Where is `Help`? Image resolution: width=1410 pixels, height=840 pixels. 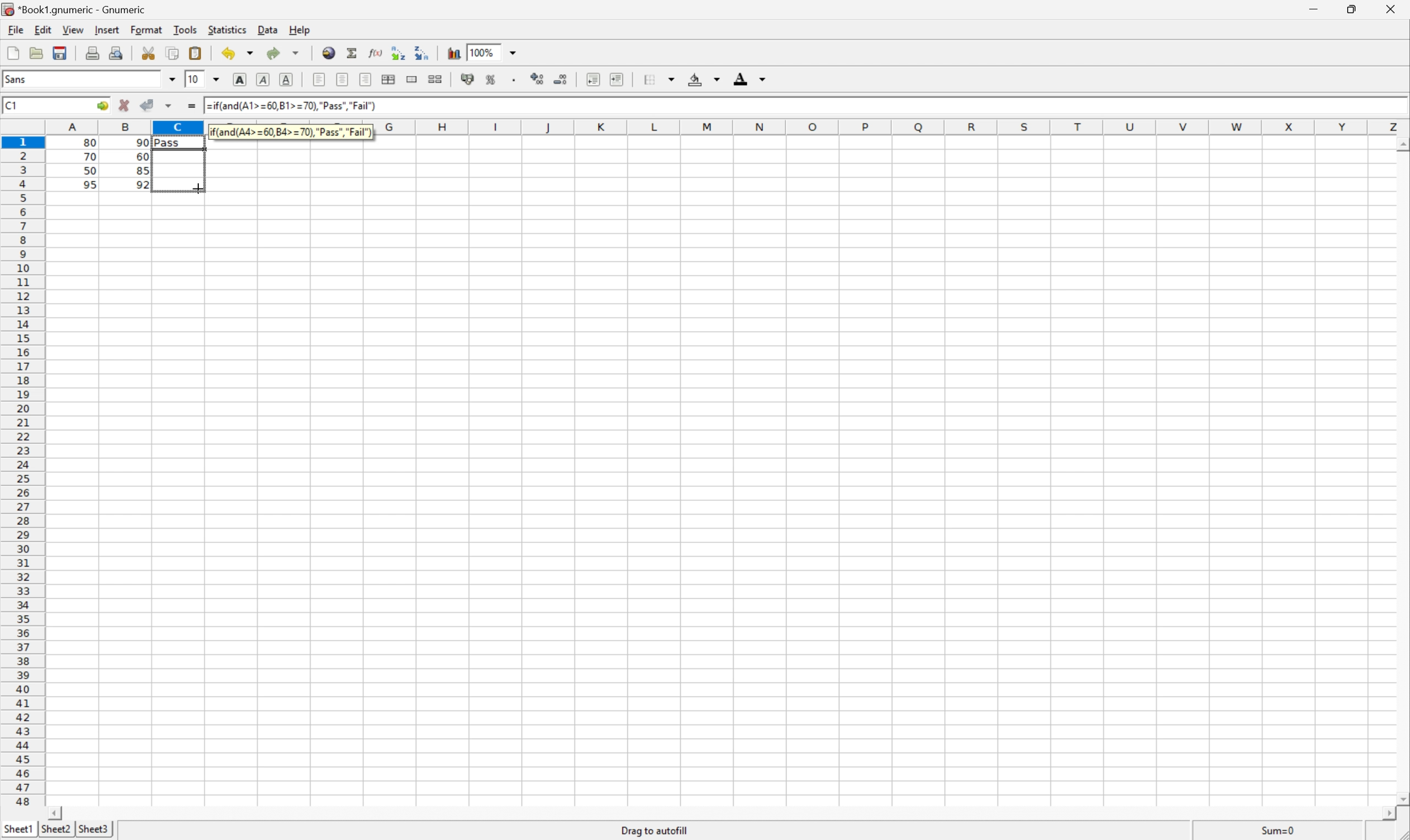
Help is located at coordinates (300, 31).